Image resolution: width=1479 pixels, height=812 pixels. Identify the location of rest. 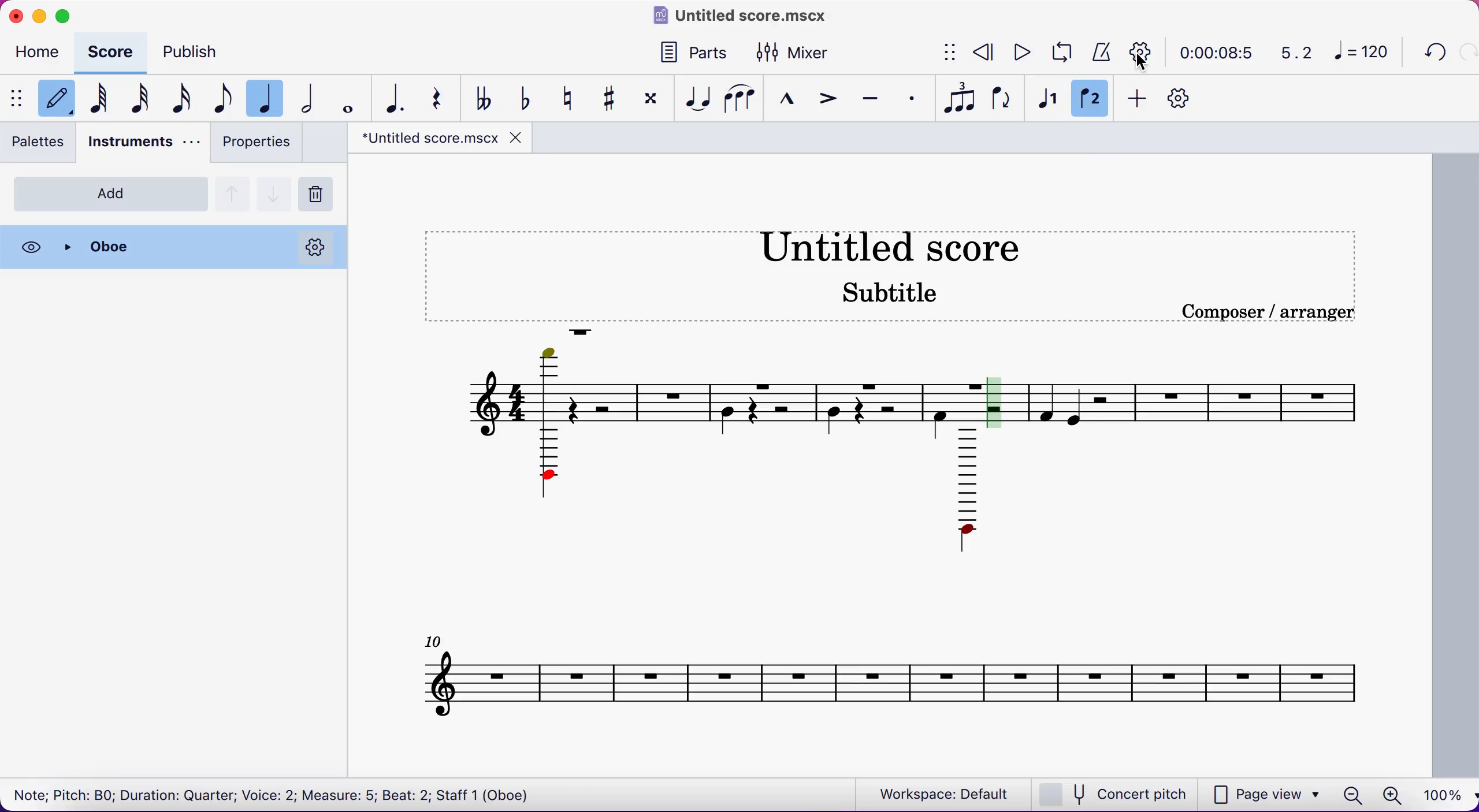
(441, 97).